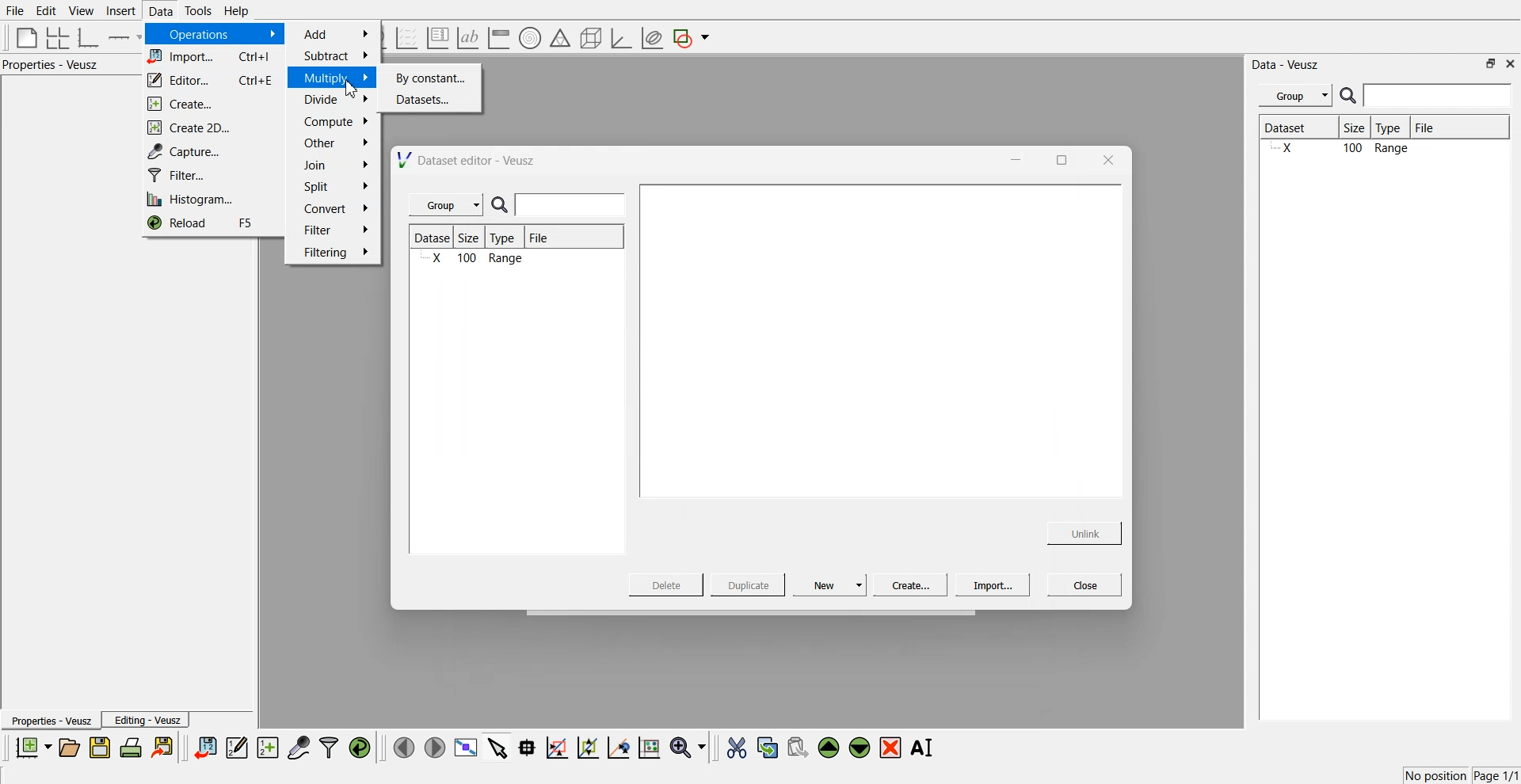 This screenshot has height=784, width=1521. Describe the element at coordinates (434, 746) in the screenshot. I see `move right` at that location.